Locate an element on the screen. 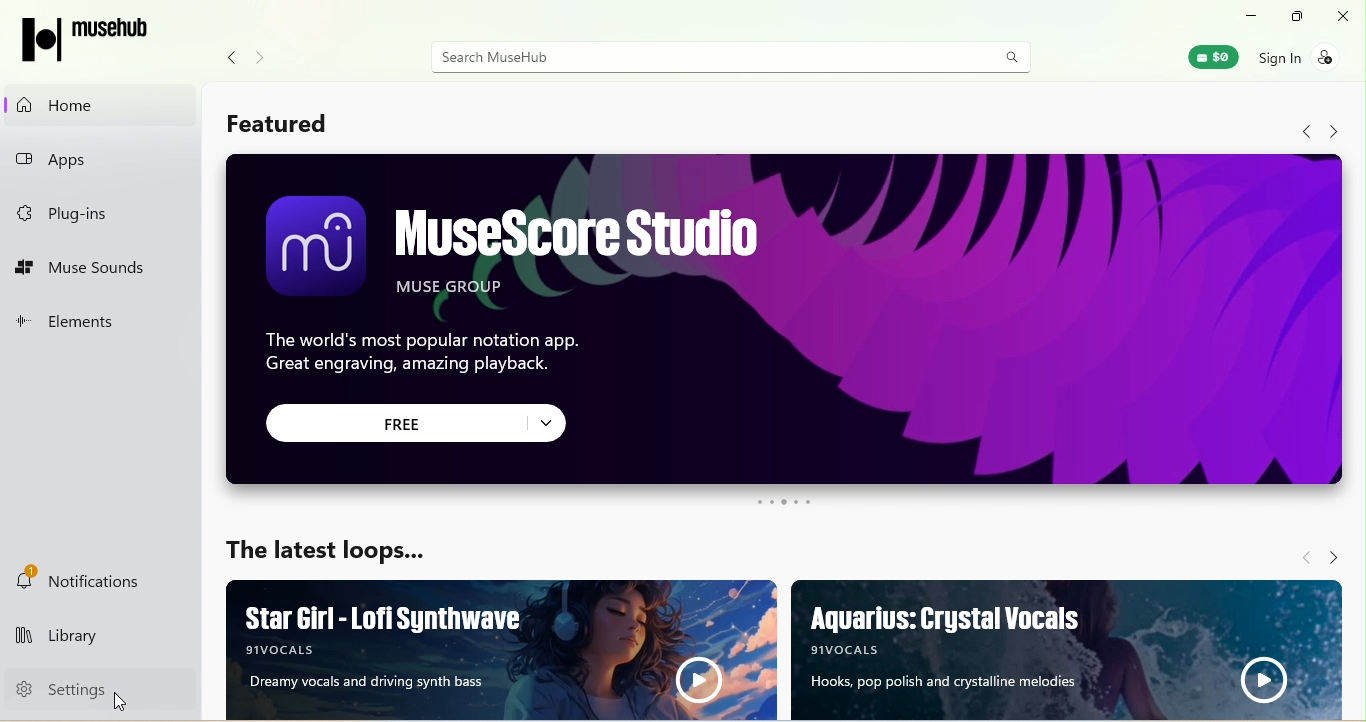 This screenshot has width=1366, height=722. Free is located at coordinates (416, 423).